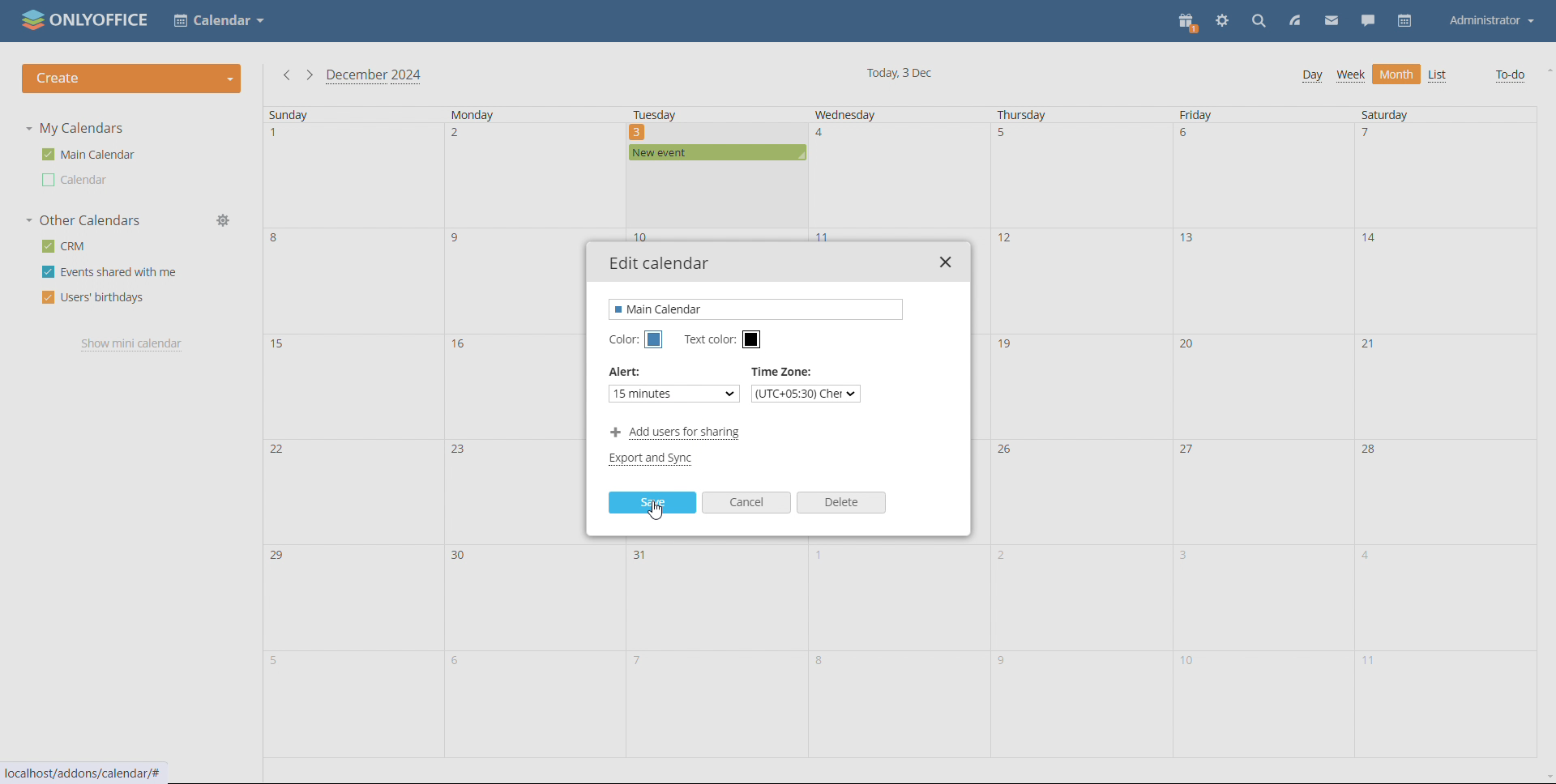  What do you see at coordinates (1447, 386) in the screenshot?
I see `date` at bounding box center [1447, 386].